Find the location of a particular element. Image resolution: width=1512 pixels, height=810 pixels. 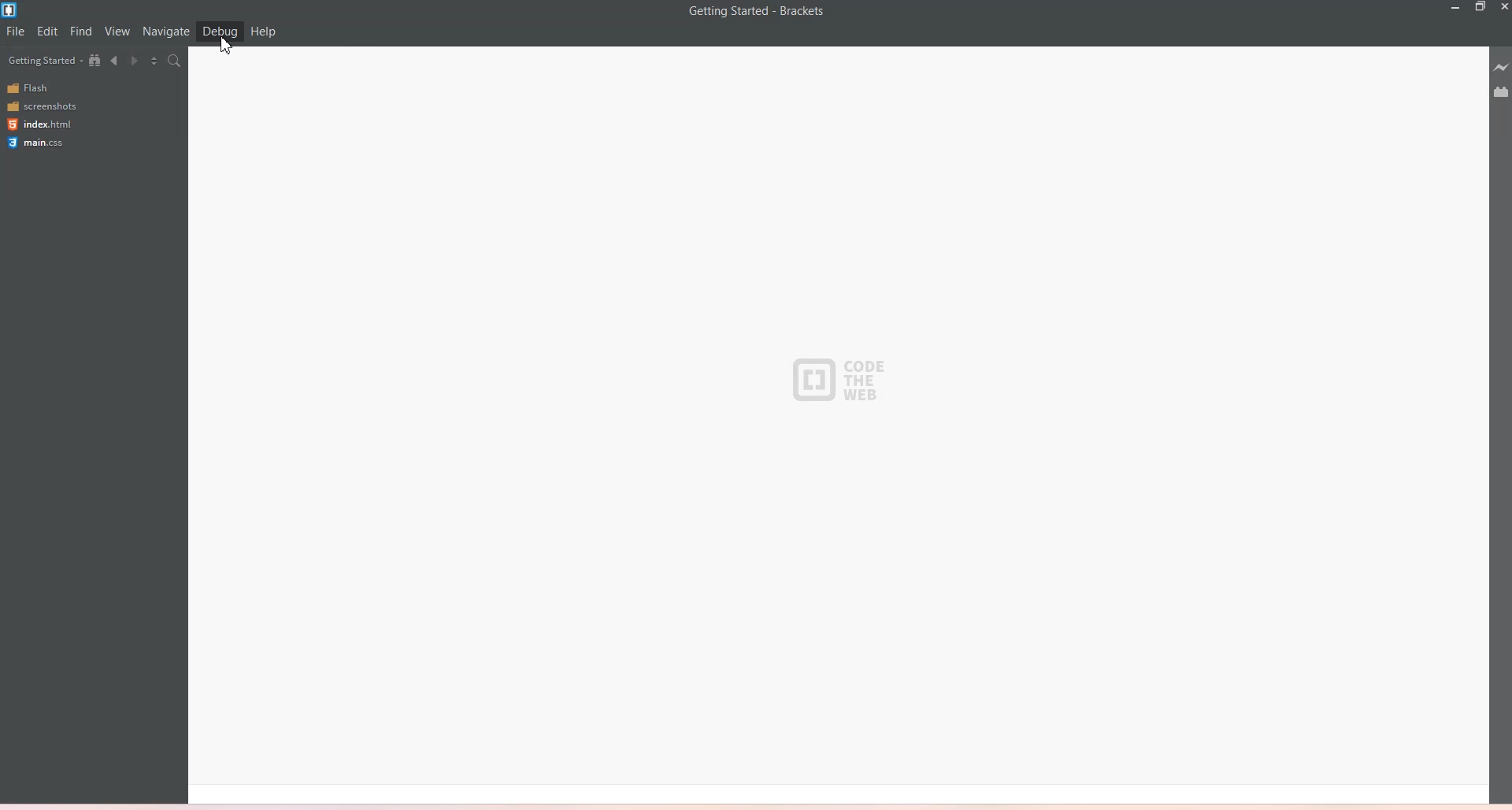

Show in file tree is located at coordinates (98, 60).